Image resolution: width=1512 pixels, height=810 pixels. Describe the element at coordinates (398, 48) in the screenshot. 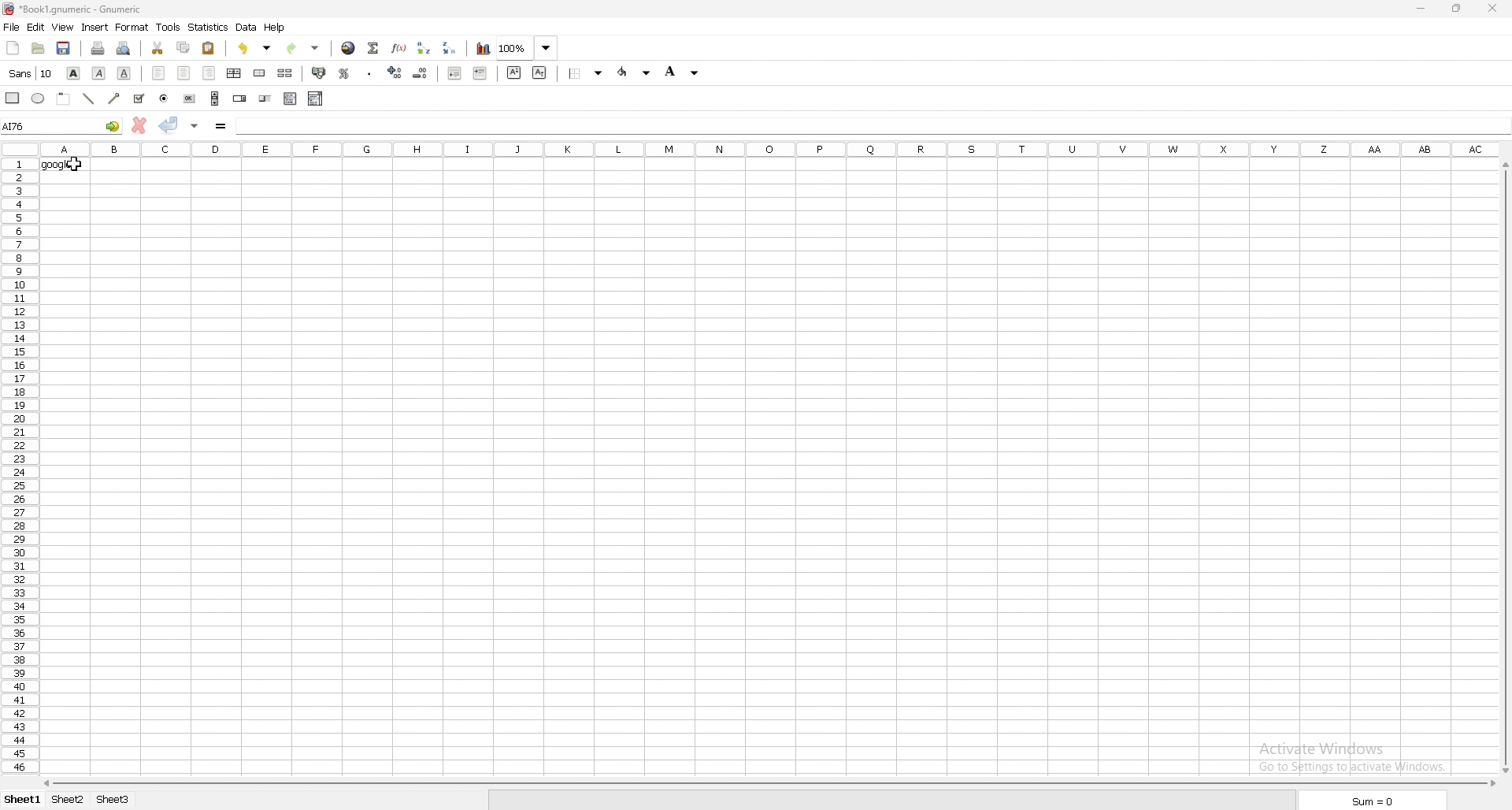

I see `function` at that location.